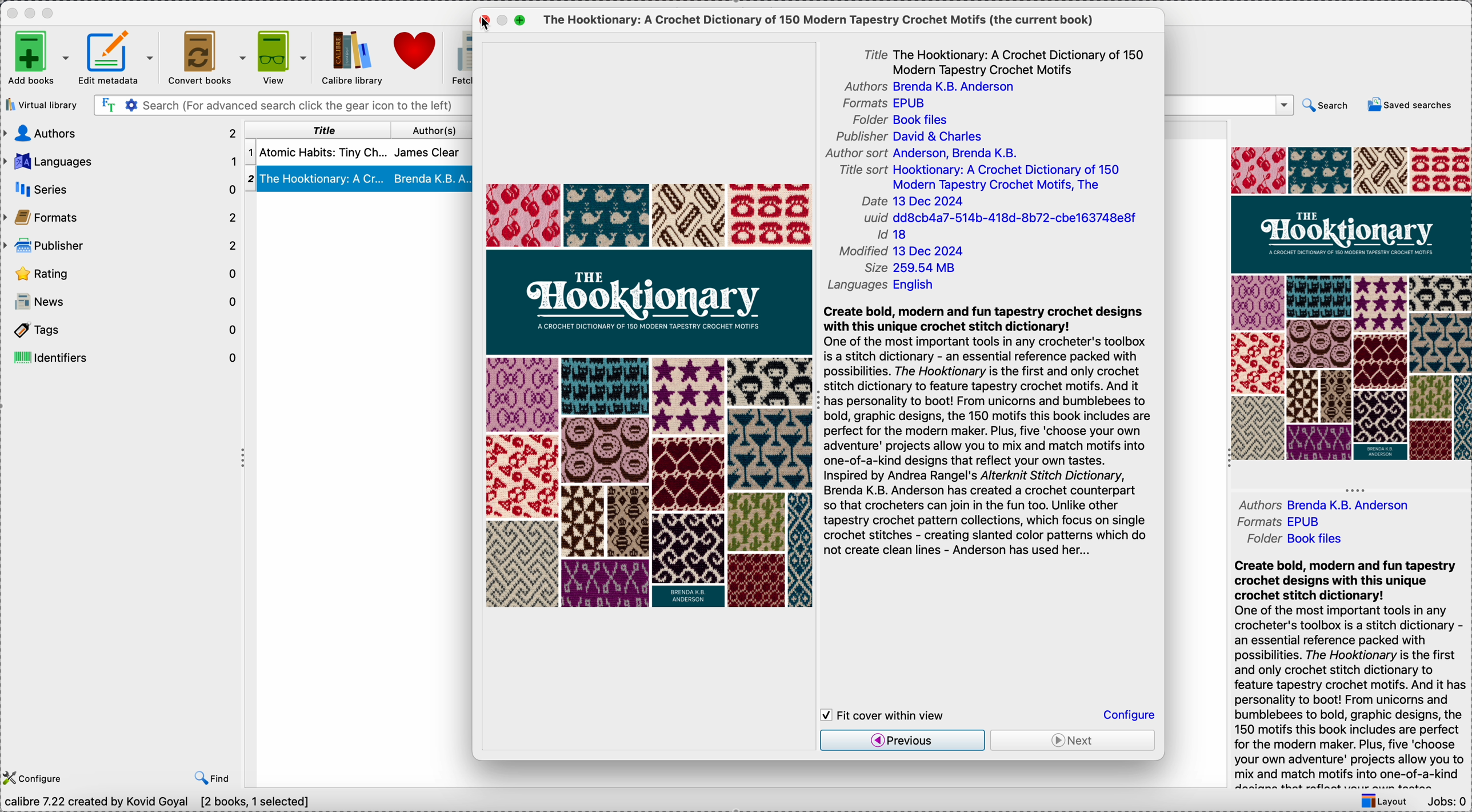  What do you see at coordinates (881, 285) in the screenshot?
I see `languages English` at bounding box center [881, 285].